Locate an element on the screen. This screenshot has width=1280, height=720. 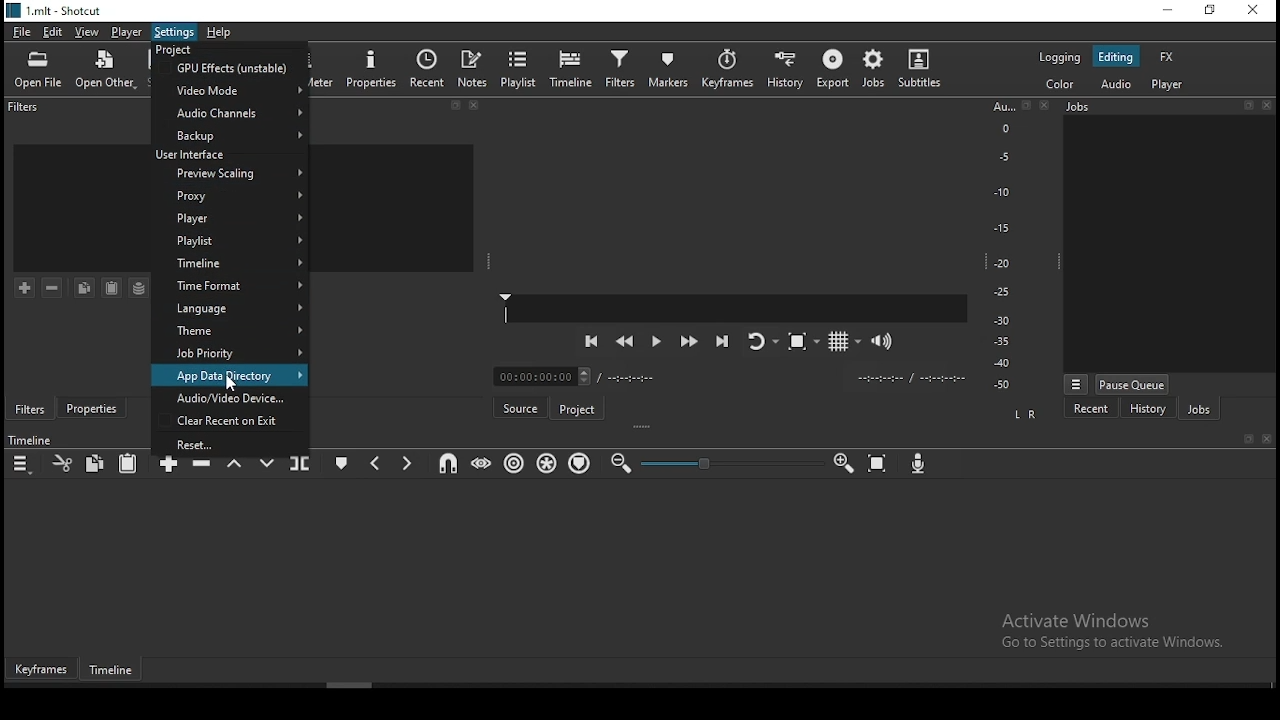
history is located at coordinates (786, 67).